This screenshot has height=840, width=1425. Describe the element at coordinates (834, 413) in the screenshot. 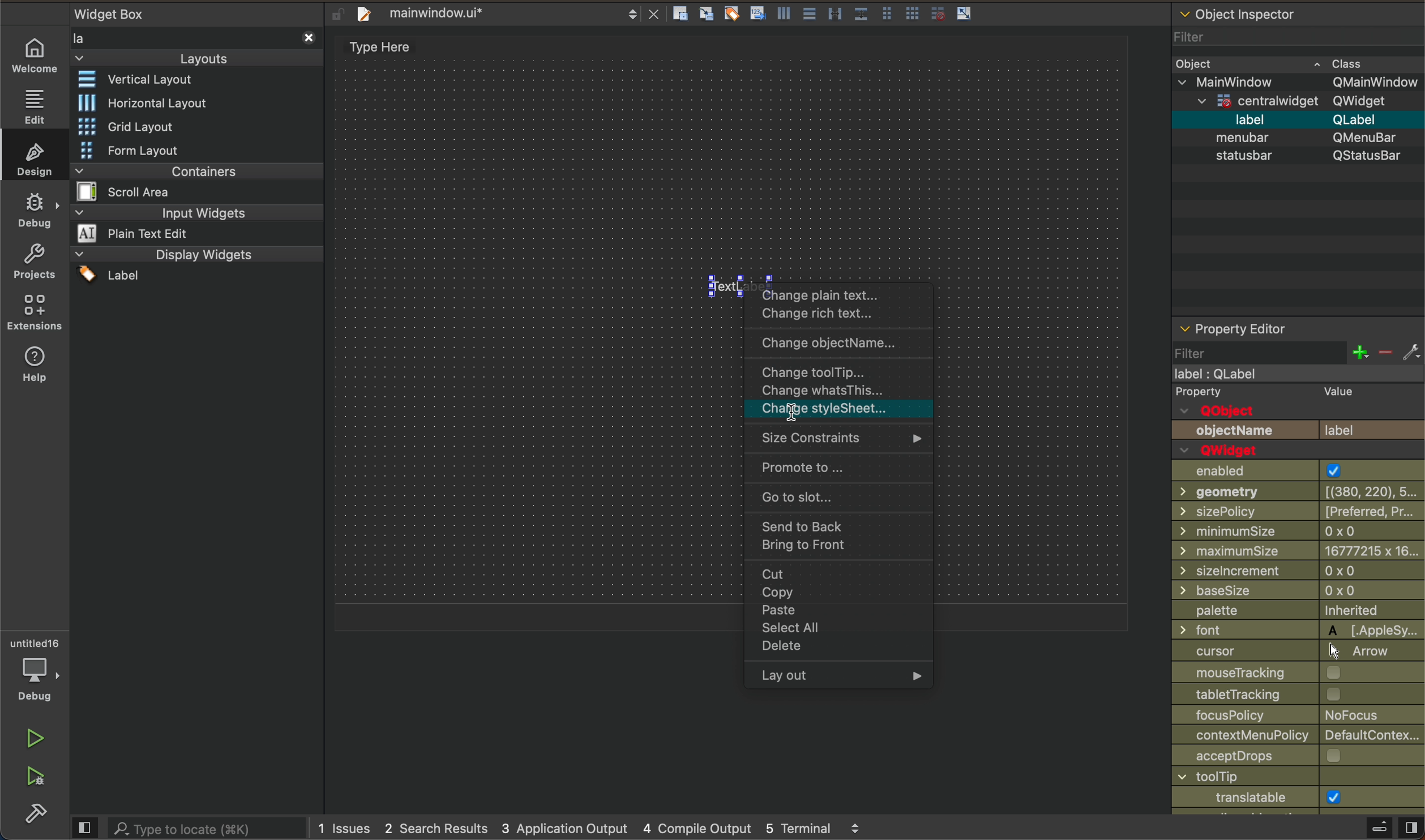

I see `stylesheet` at that location.